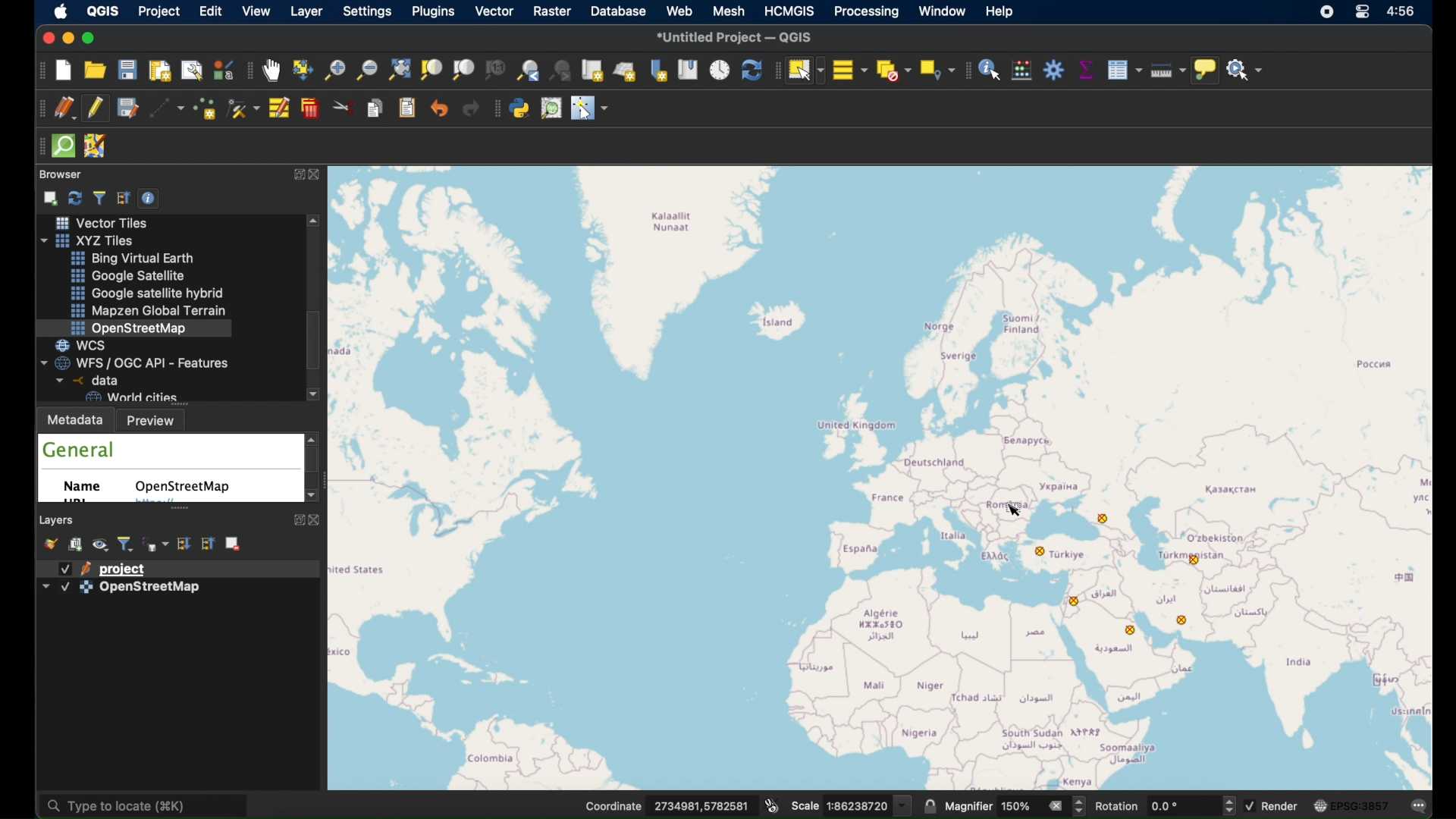 This screenshot has height=819, width=1456. I want to click on show spatial bookmarks, so click(689, 70).